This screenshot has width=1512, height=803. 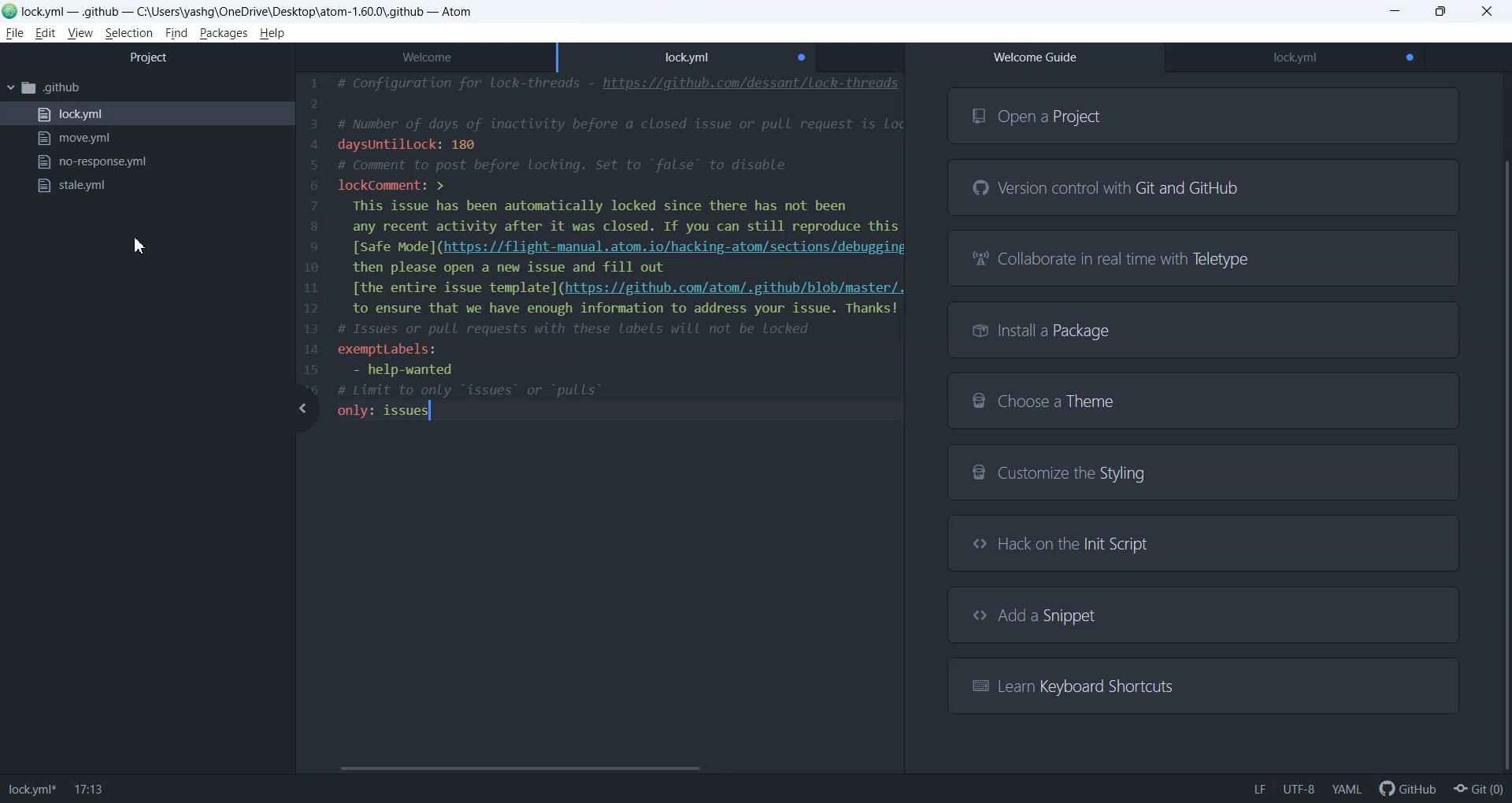 I want to click on lock.yml, so click(x=146, y=114).